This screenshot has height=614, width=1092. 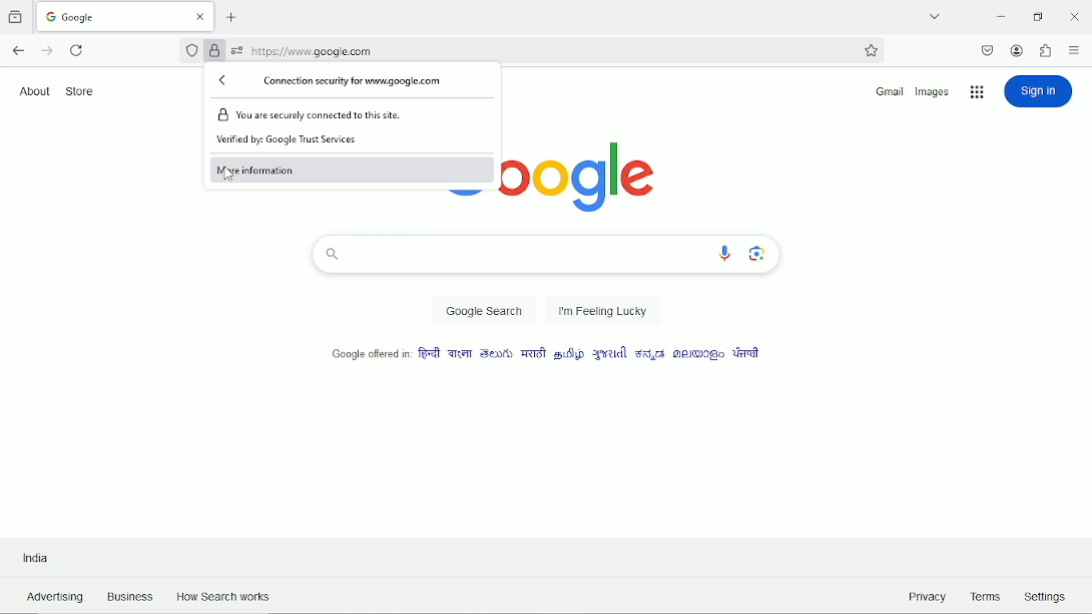 What do you see at coordinates (360, 352) in the screenshot?
I see `Google offered in` at bounding box center [360, 352].